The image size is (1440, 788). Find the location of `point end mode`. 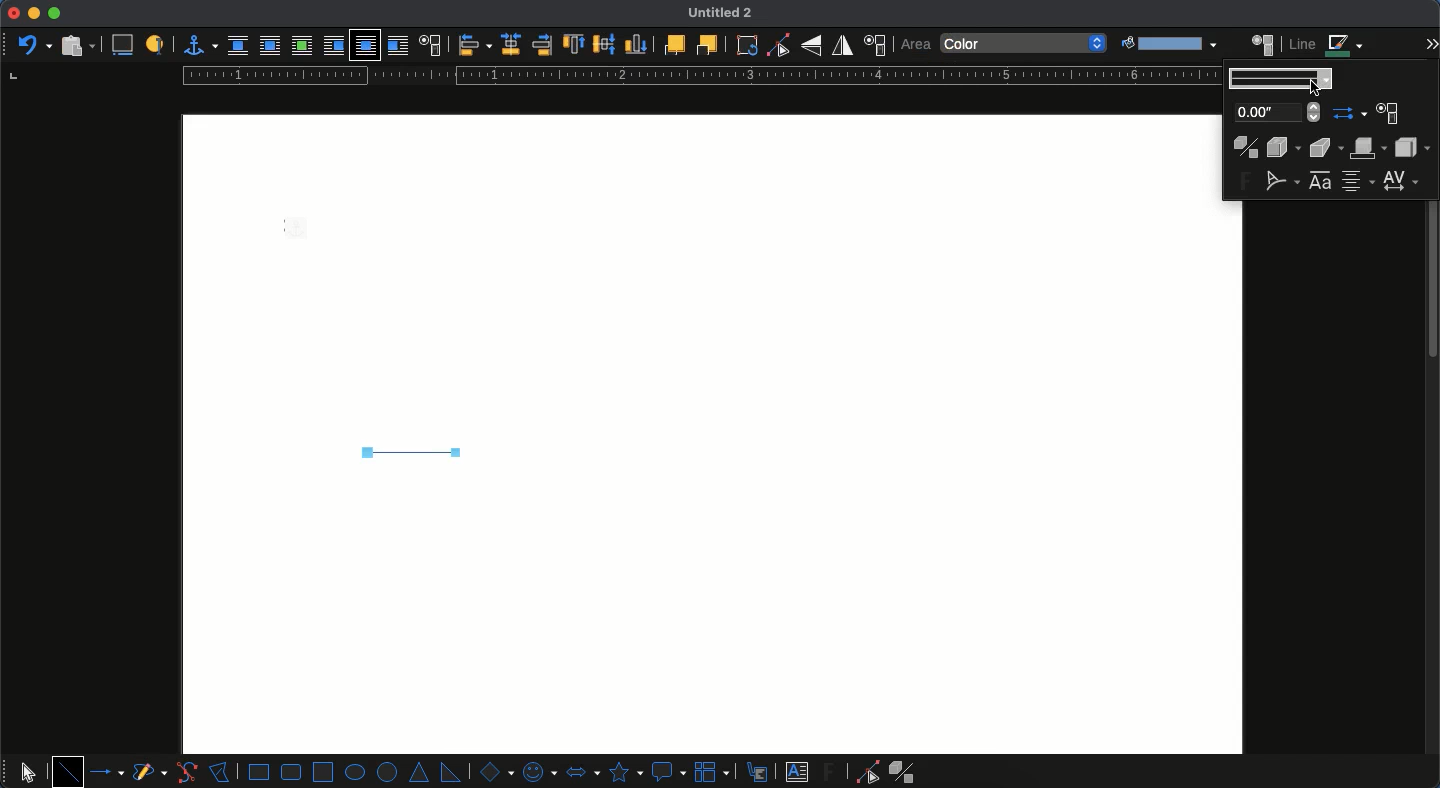

point end mode is located at coordinates (864, 772).